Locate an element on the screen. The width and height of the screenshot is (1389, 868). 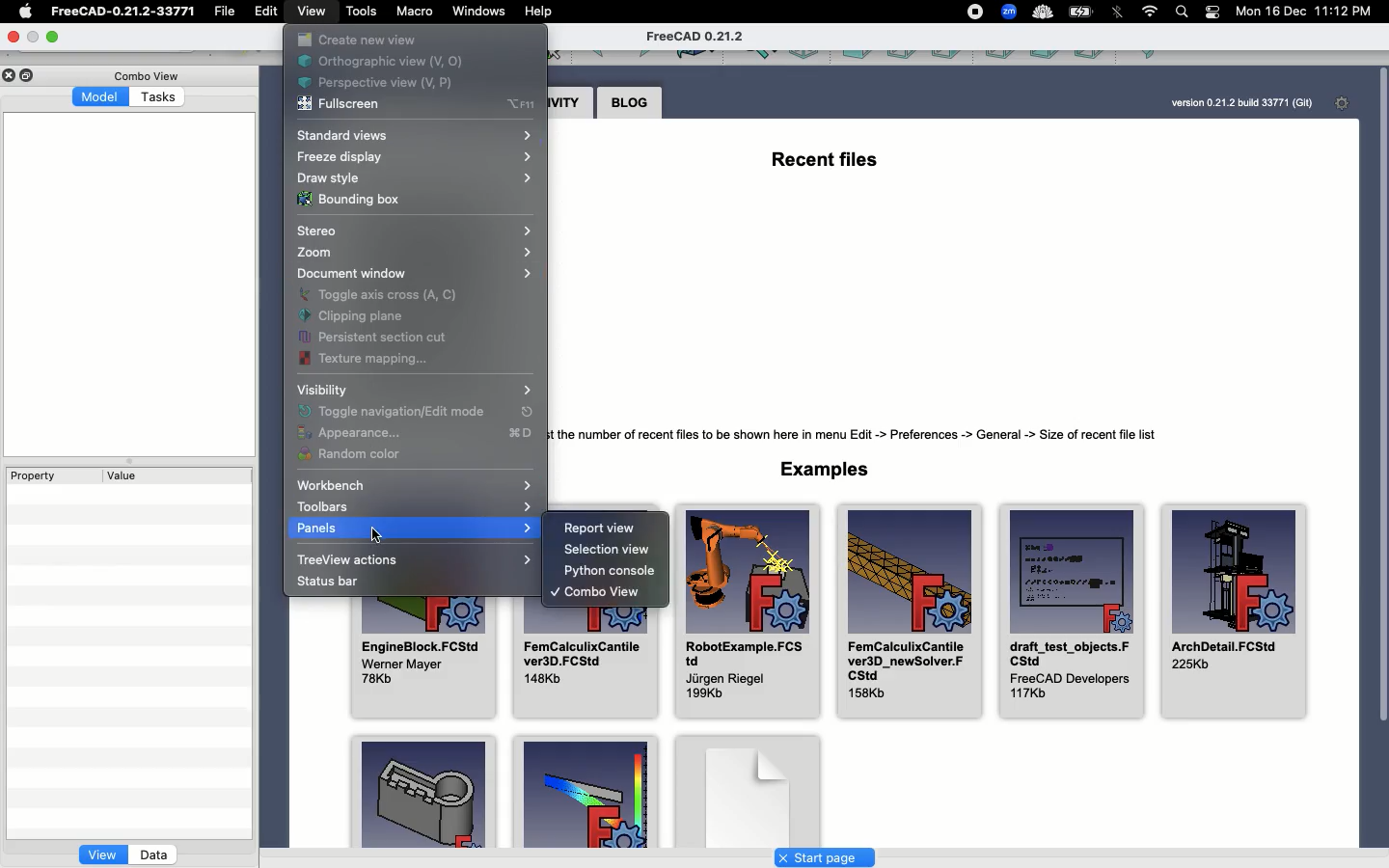
Value is located at coordinates (123, 476).